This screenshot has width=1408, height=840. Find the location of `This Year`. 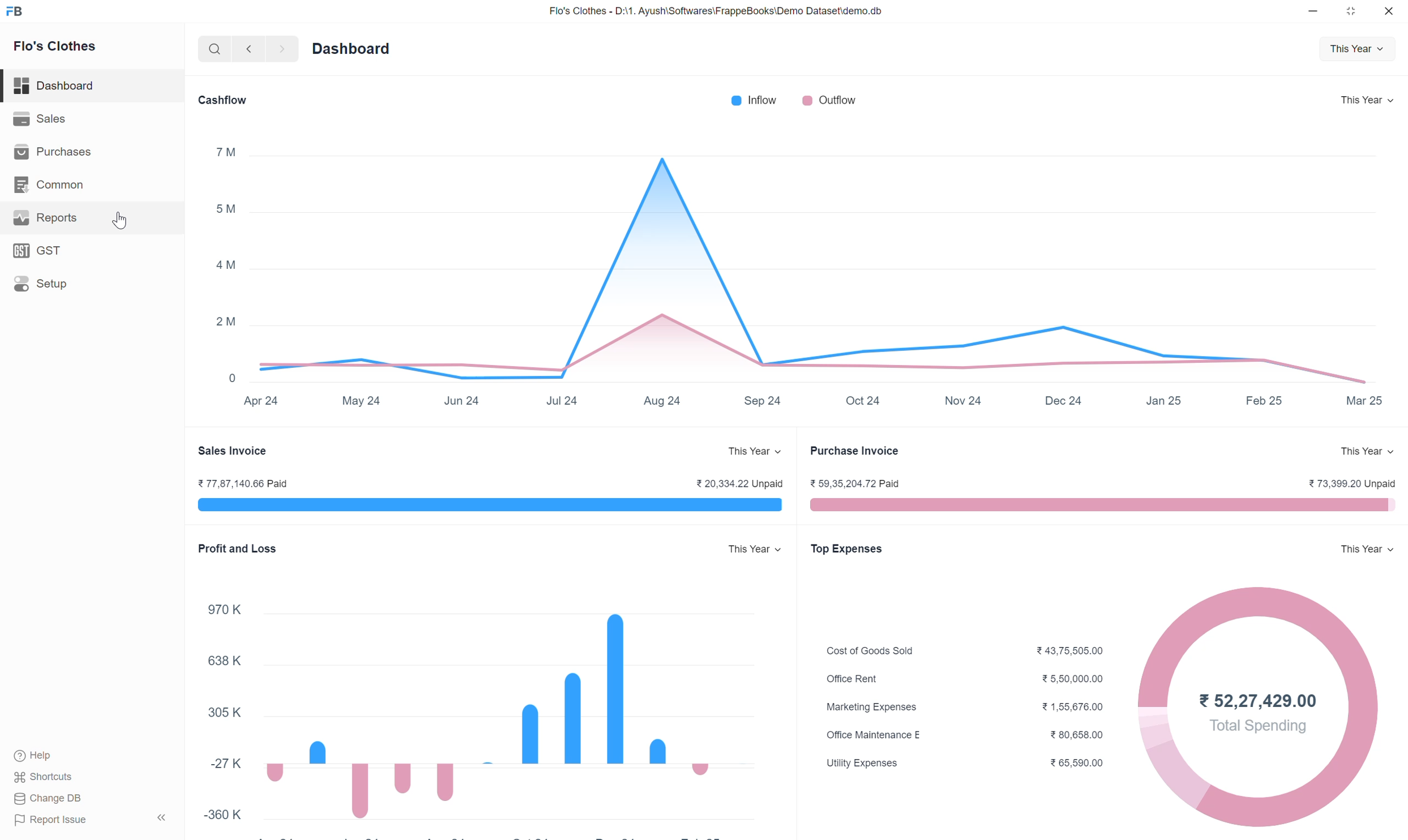

This Year is located at coordinates (1354, 51).